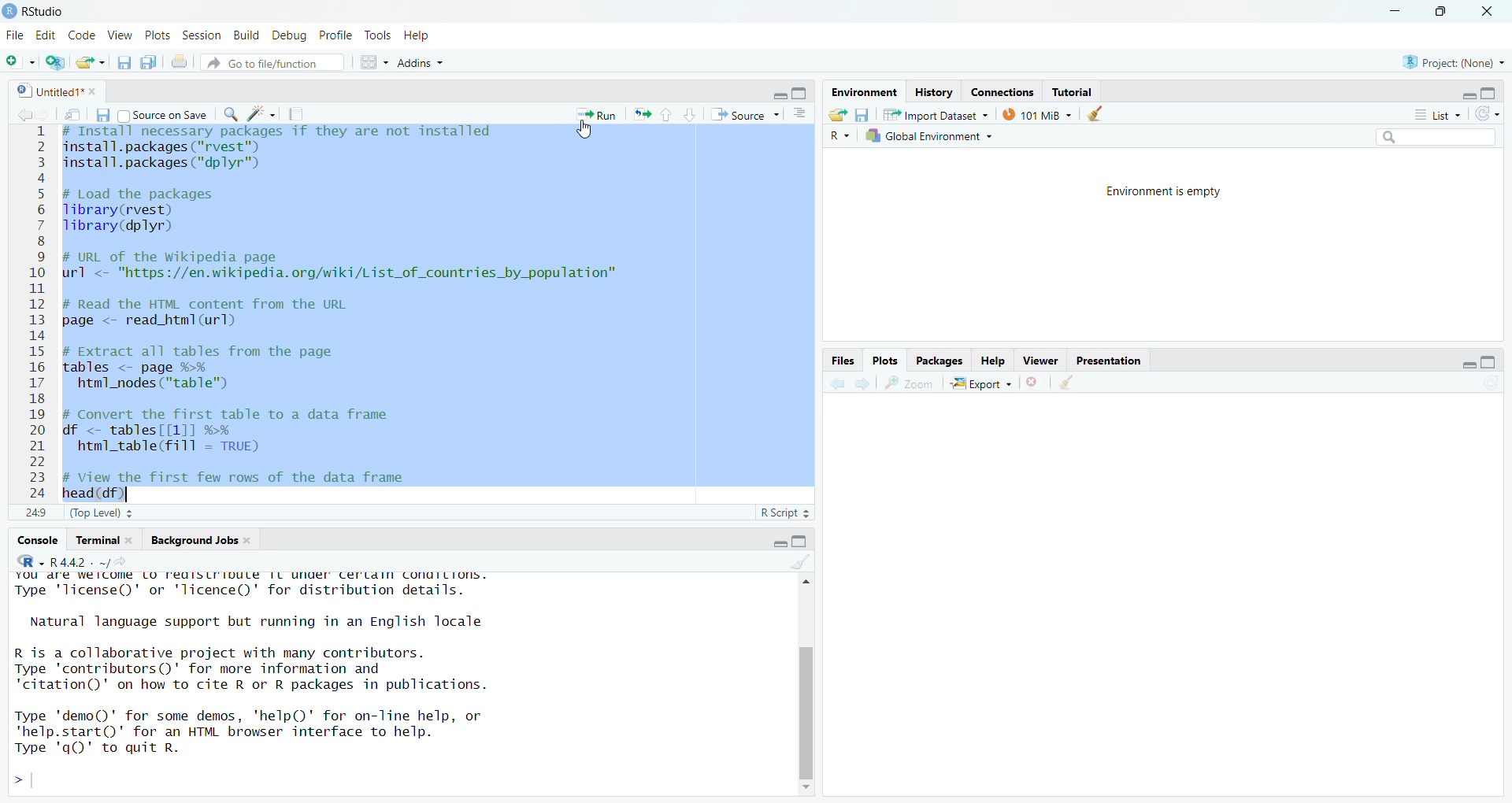 The image size is (1512, 803). I want to click on Global Environment, so click(930, 135).